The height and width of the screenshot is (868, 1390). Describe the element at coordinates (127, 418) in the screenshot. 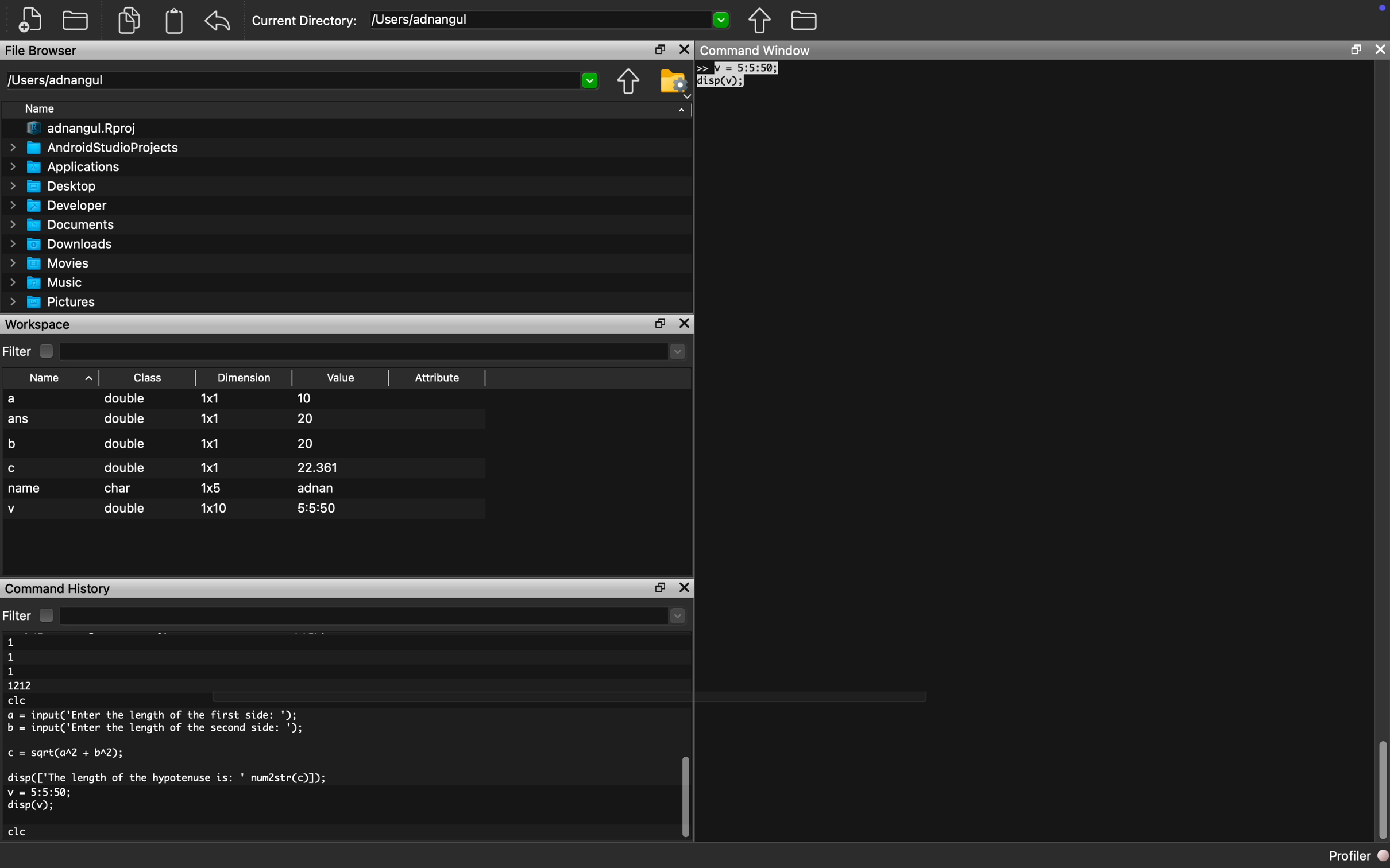

I see `double` at that location.